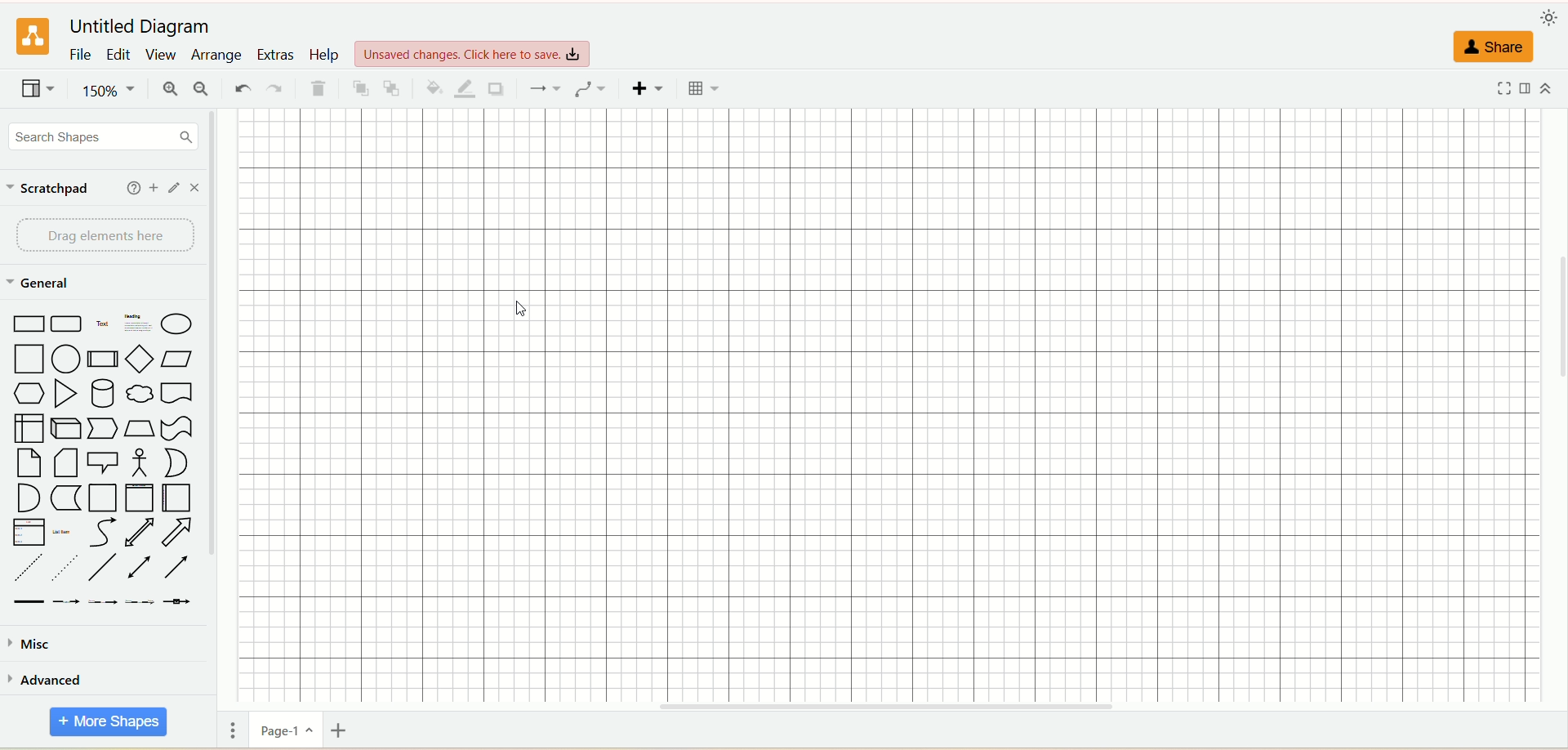 The image size is (1568, 750). I want to click on Unsaved changes. Click here to save. ds, so click(478, 51).